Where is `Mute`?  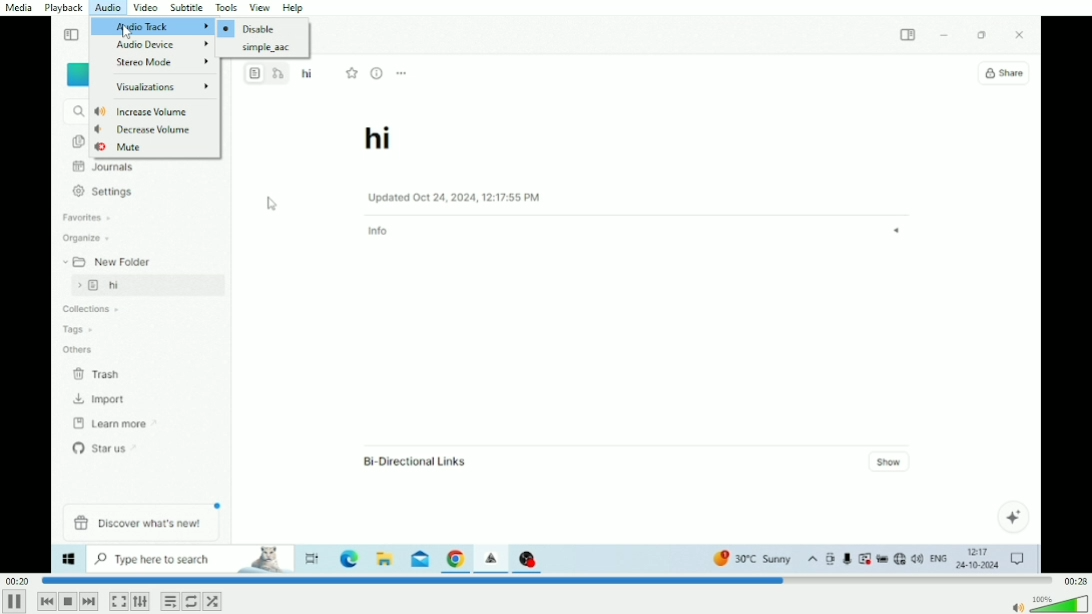 Mute is located at coordinates (121, 147).